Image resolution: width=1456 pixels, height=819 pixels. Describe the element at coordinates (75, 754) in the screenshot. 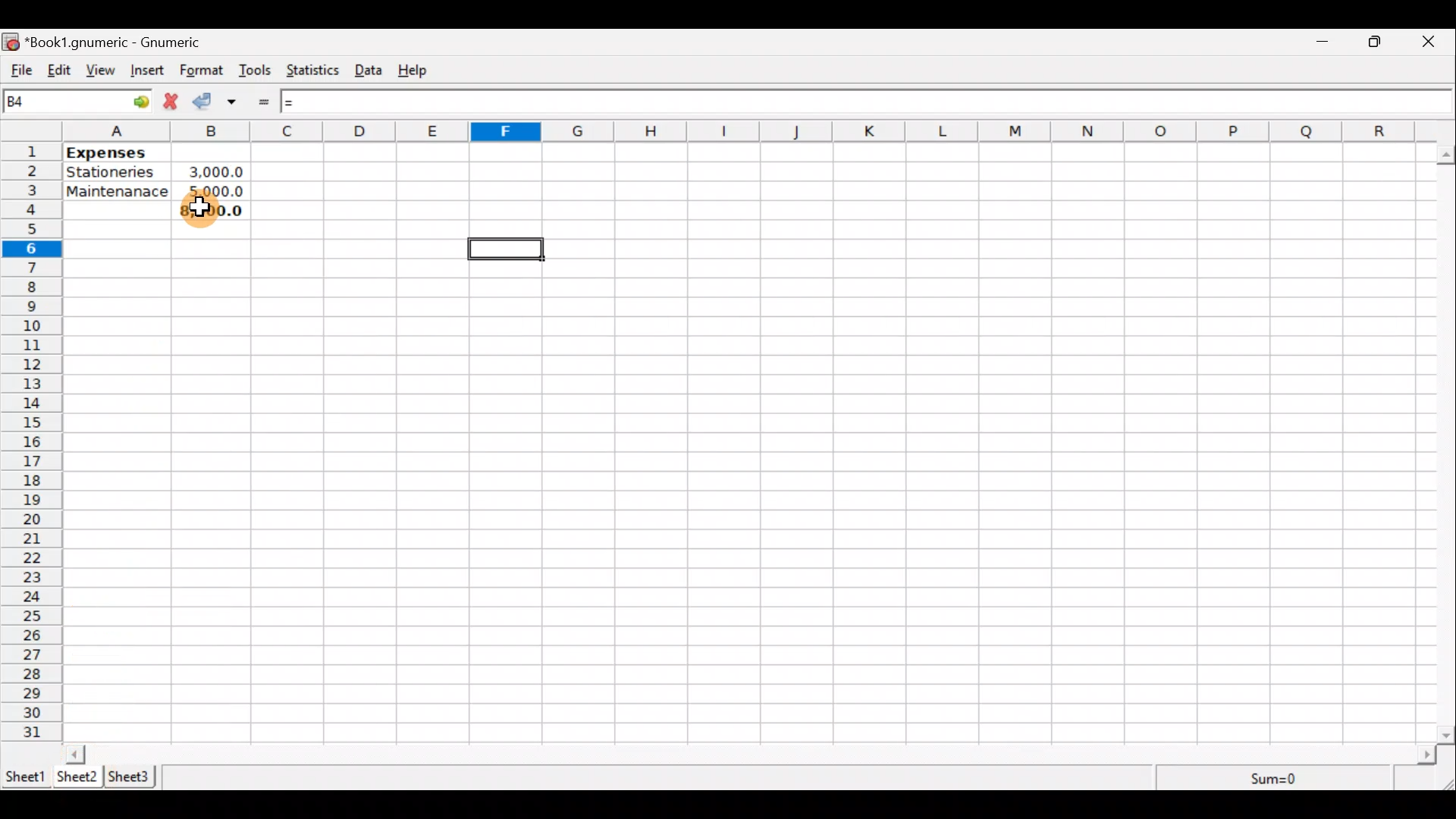

I see `scroll left` at that location.